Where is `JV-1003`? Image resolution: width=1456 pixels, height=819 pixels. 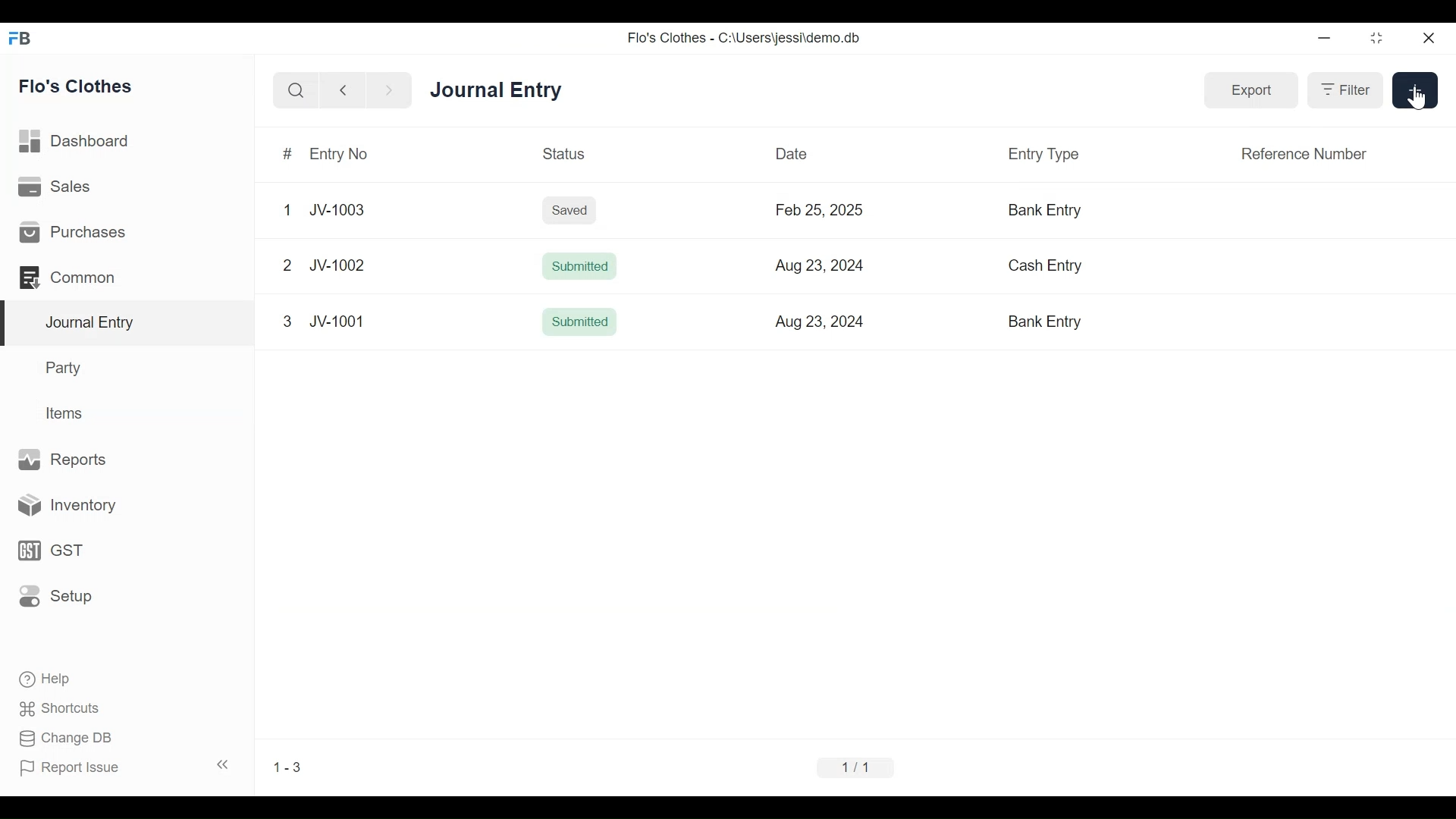 JV-1003 is located at coordinates (335, 209).